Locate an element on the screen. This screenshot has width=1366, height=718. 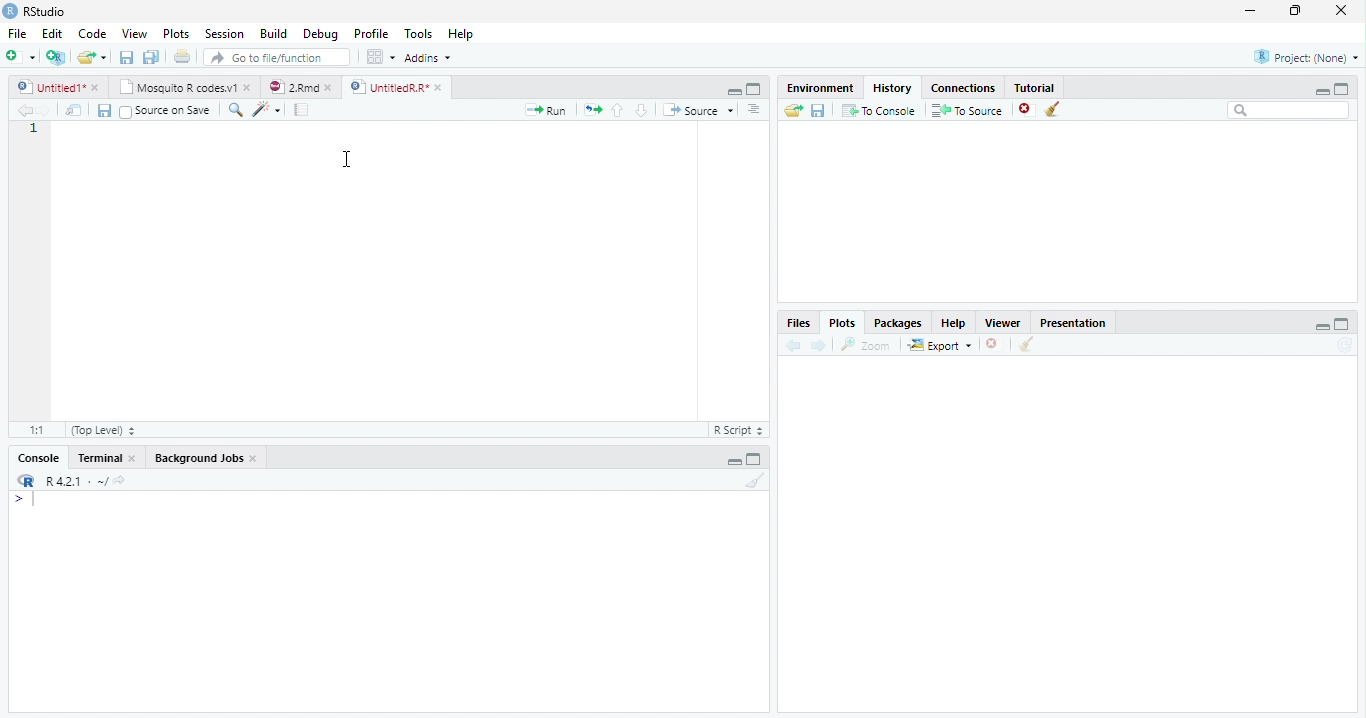
Maximize is located at coordinates (755, 90).